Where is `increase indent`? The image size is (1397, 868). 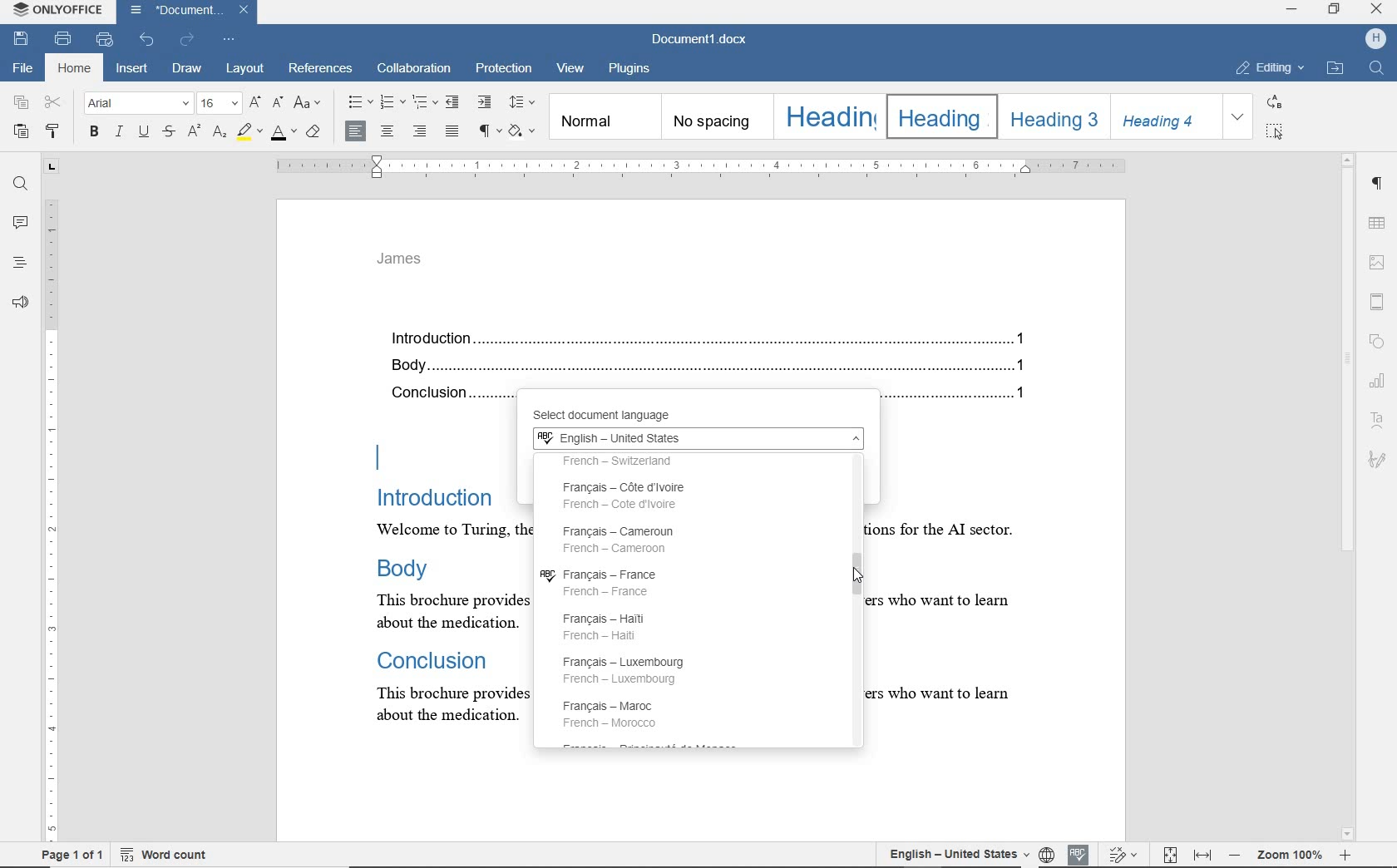 increase indent is located at coordinates (483, 101).